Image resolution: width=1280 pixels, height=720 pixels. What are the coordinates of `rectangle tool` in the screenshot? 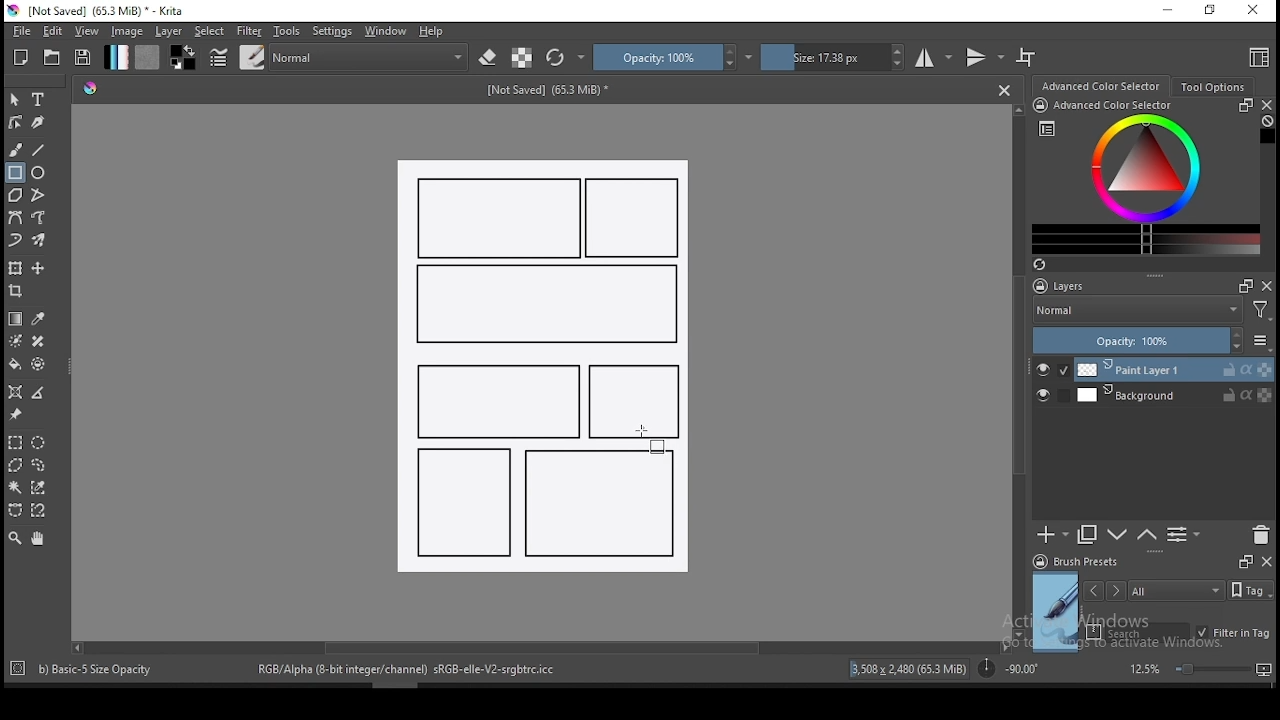 It's located at (15, 173).